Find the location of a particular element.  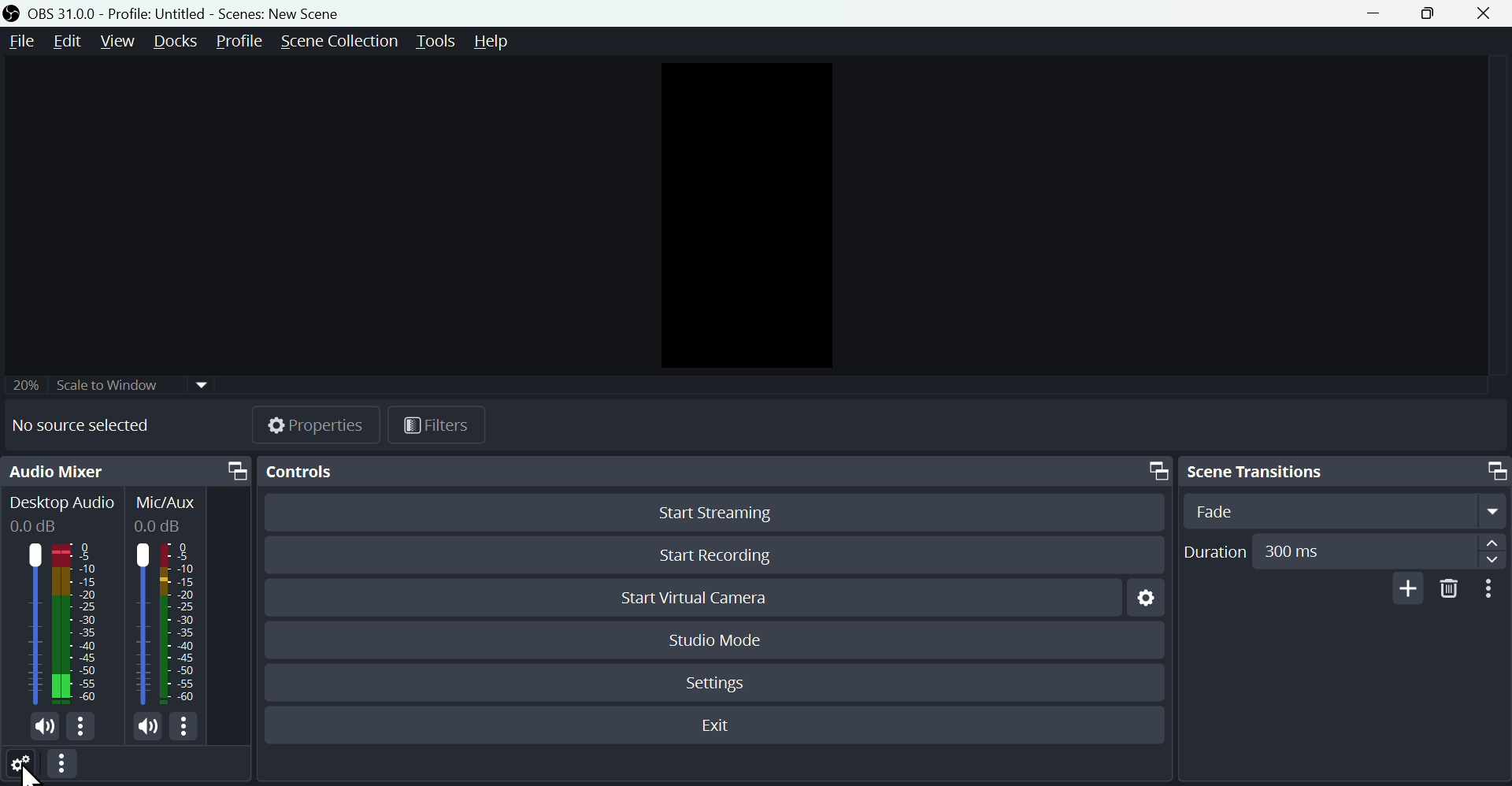

Maximise is located at coordinates (1436, 13).